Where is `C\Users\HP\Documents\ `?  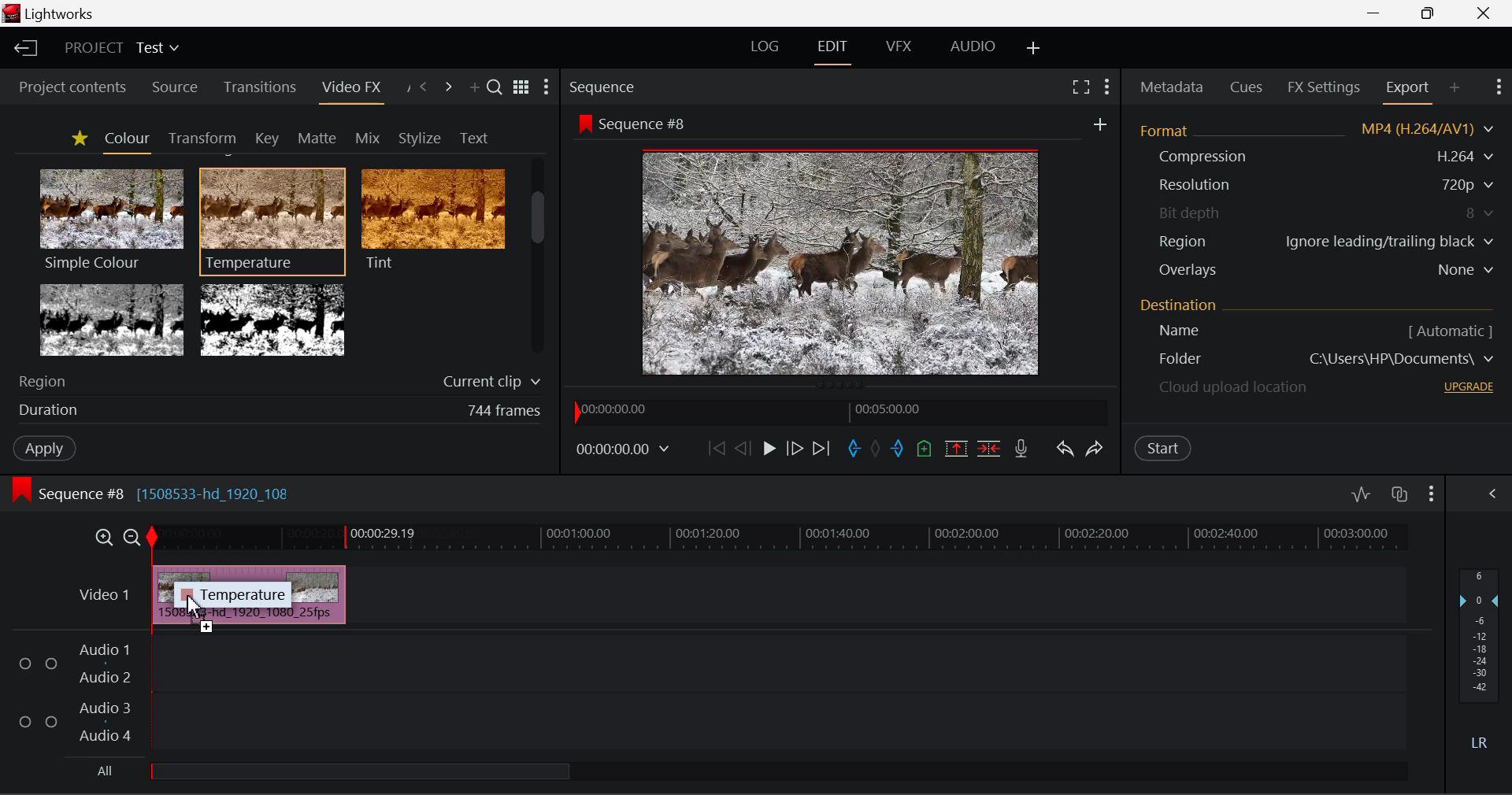 C\Users\HP\Documents\  is located at coordinates (1402, 358).